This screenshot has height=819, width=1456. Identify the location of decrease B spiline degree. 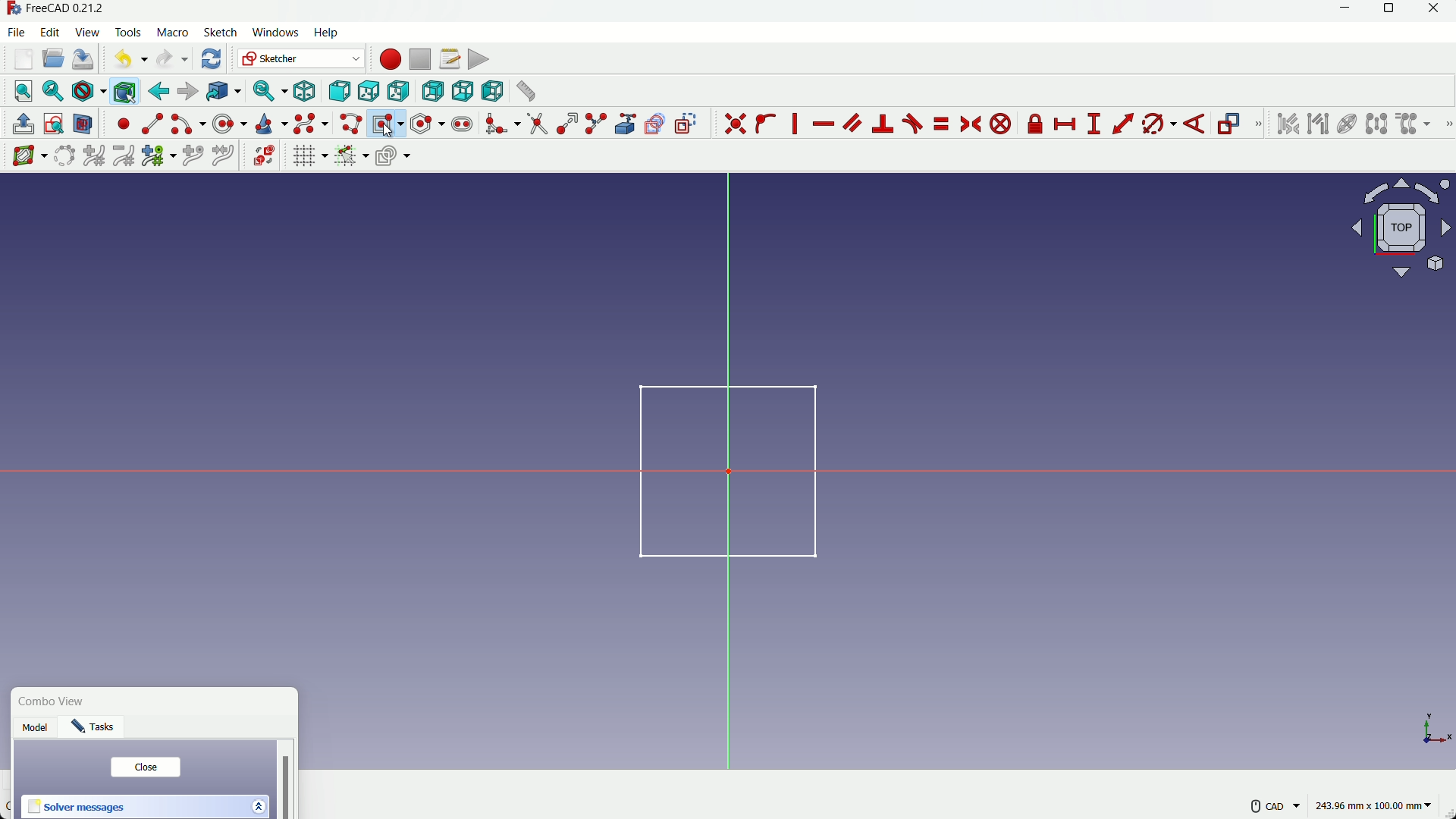
(124, 155).